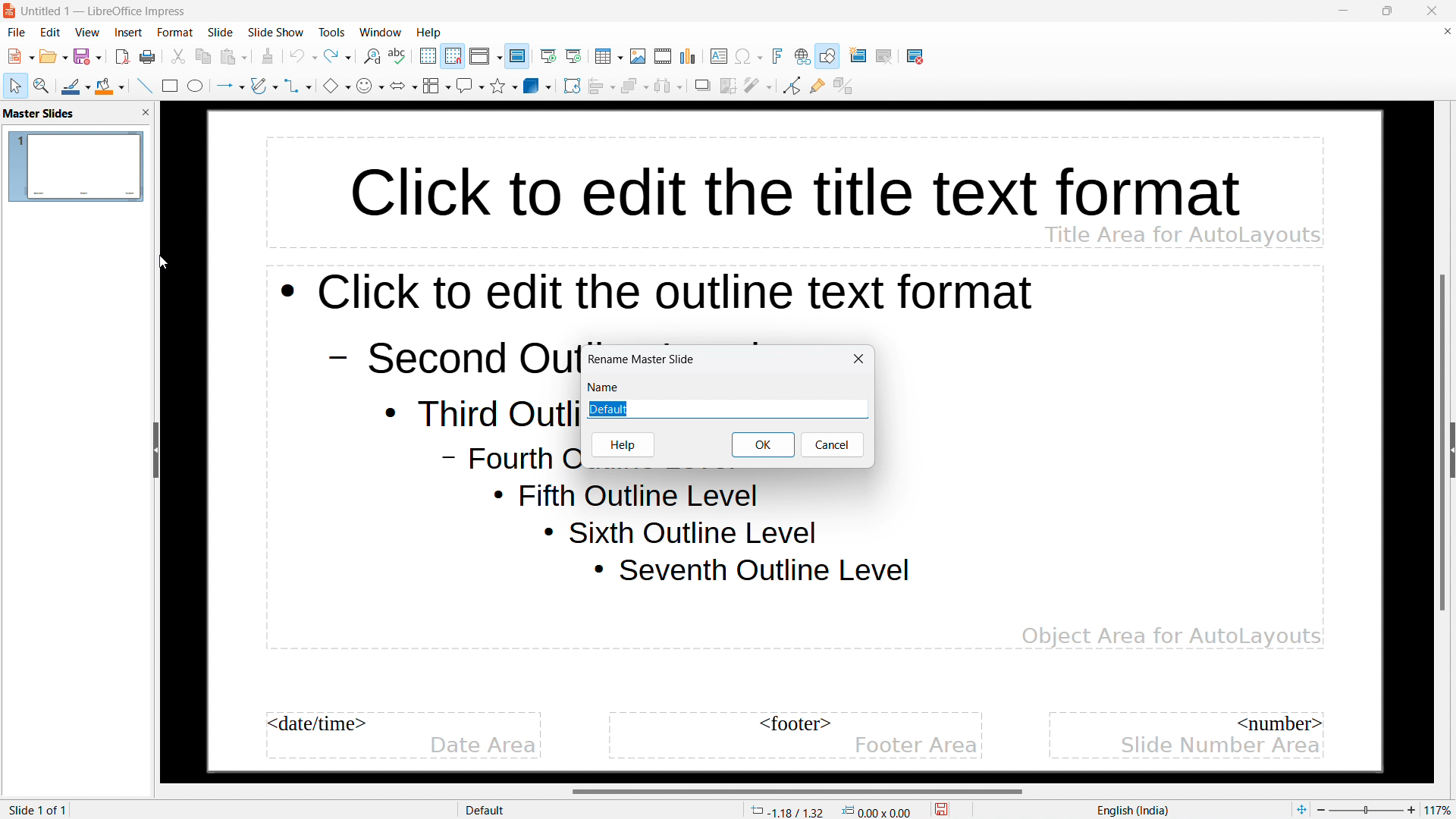 The width and height of the screenshot is (1456, 819). I want to click on toggle point edit mode, so click(792, 86).